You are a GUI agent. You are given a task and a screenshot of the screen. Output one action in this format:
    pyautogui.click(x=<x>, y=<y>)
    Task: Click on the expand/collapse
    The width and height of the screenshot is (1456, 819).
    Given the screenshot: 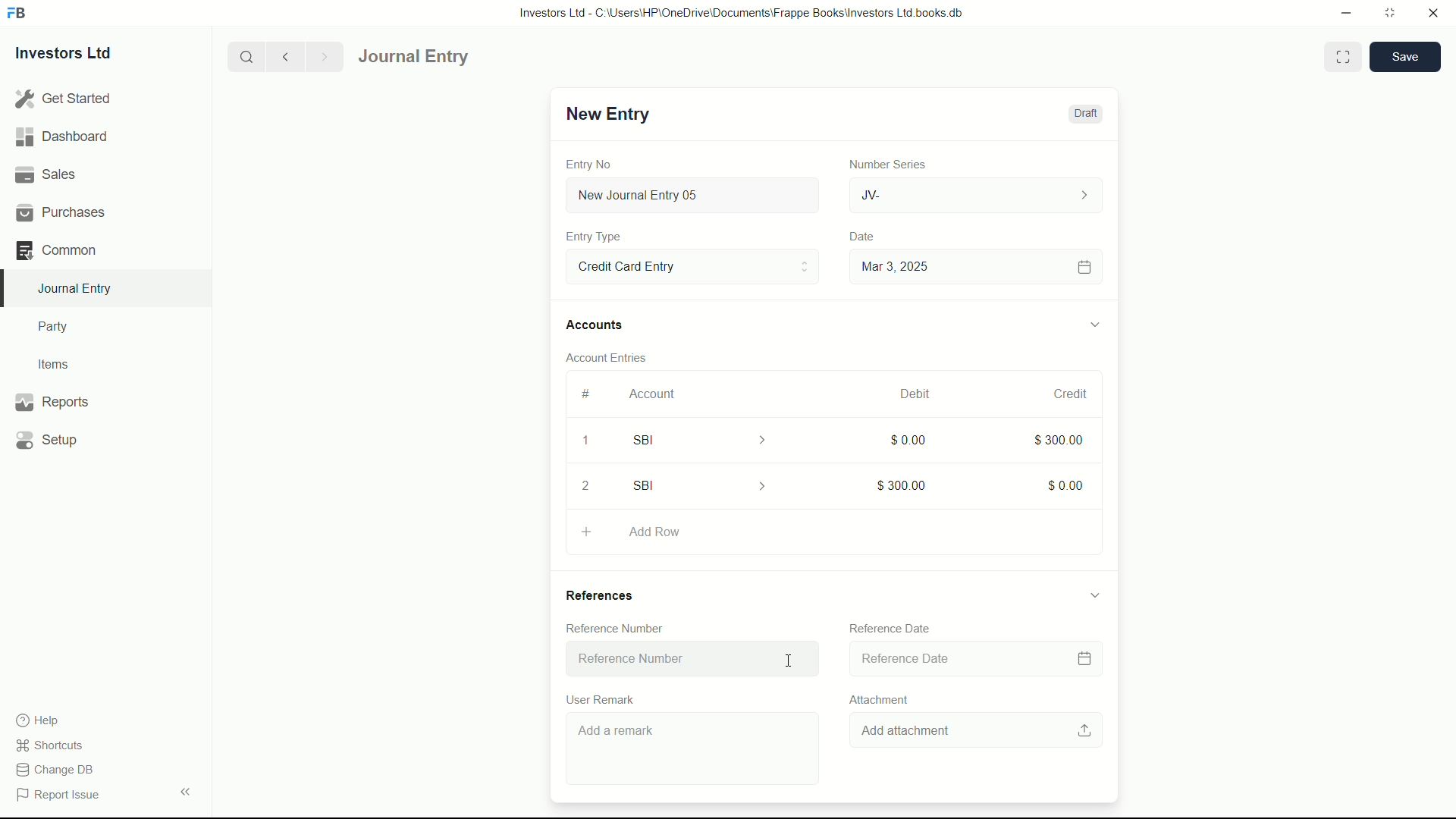 What is the action you would take?
    pyautogui.click(x=1094, y=594)
    